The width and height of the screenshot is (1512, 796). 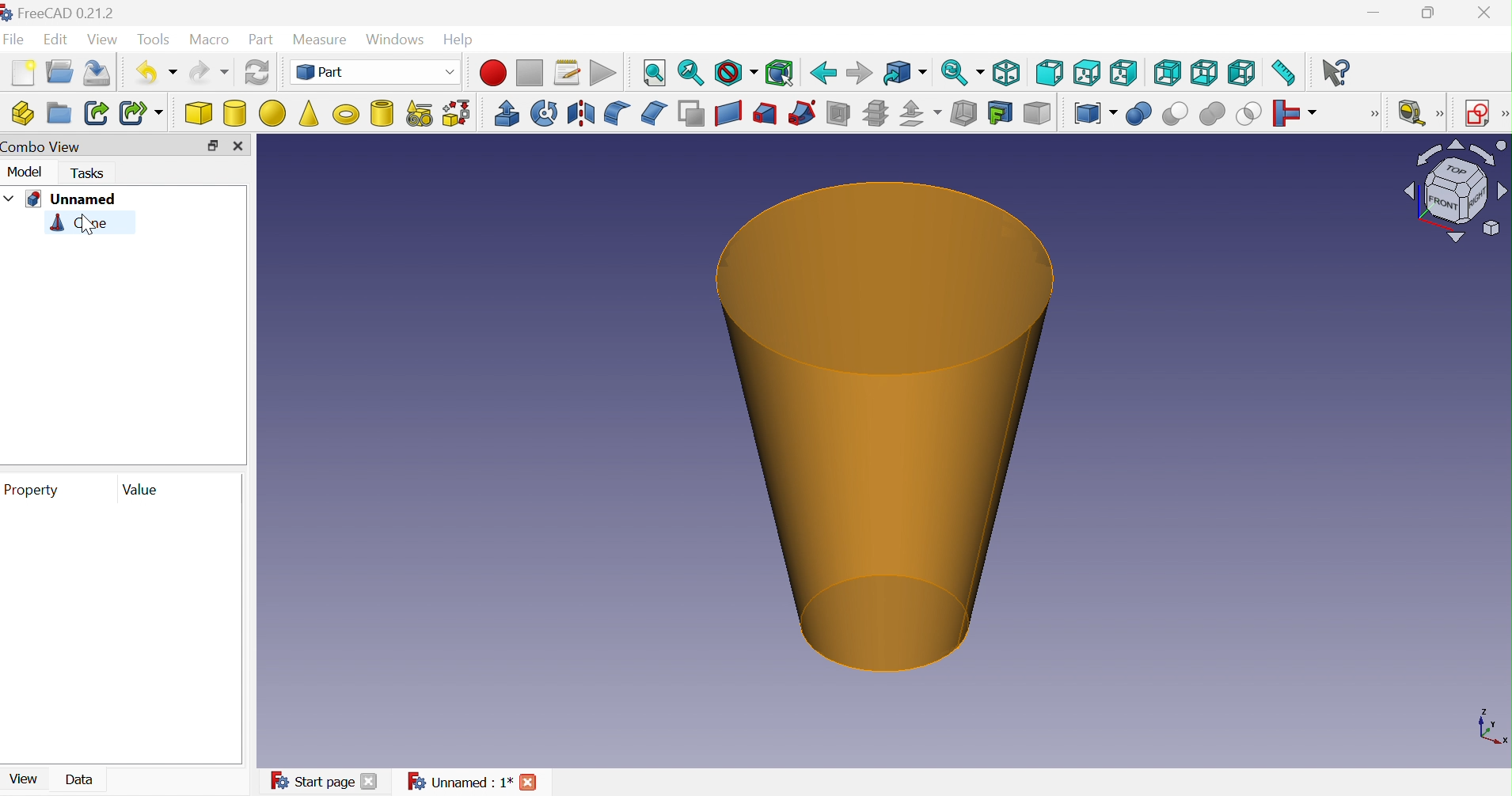 What do you see at coordinates (493, 73) in the screenshot?
I see `Macro recording` at bounding box center [493, 73].